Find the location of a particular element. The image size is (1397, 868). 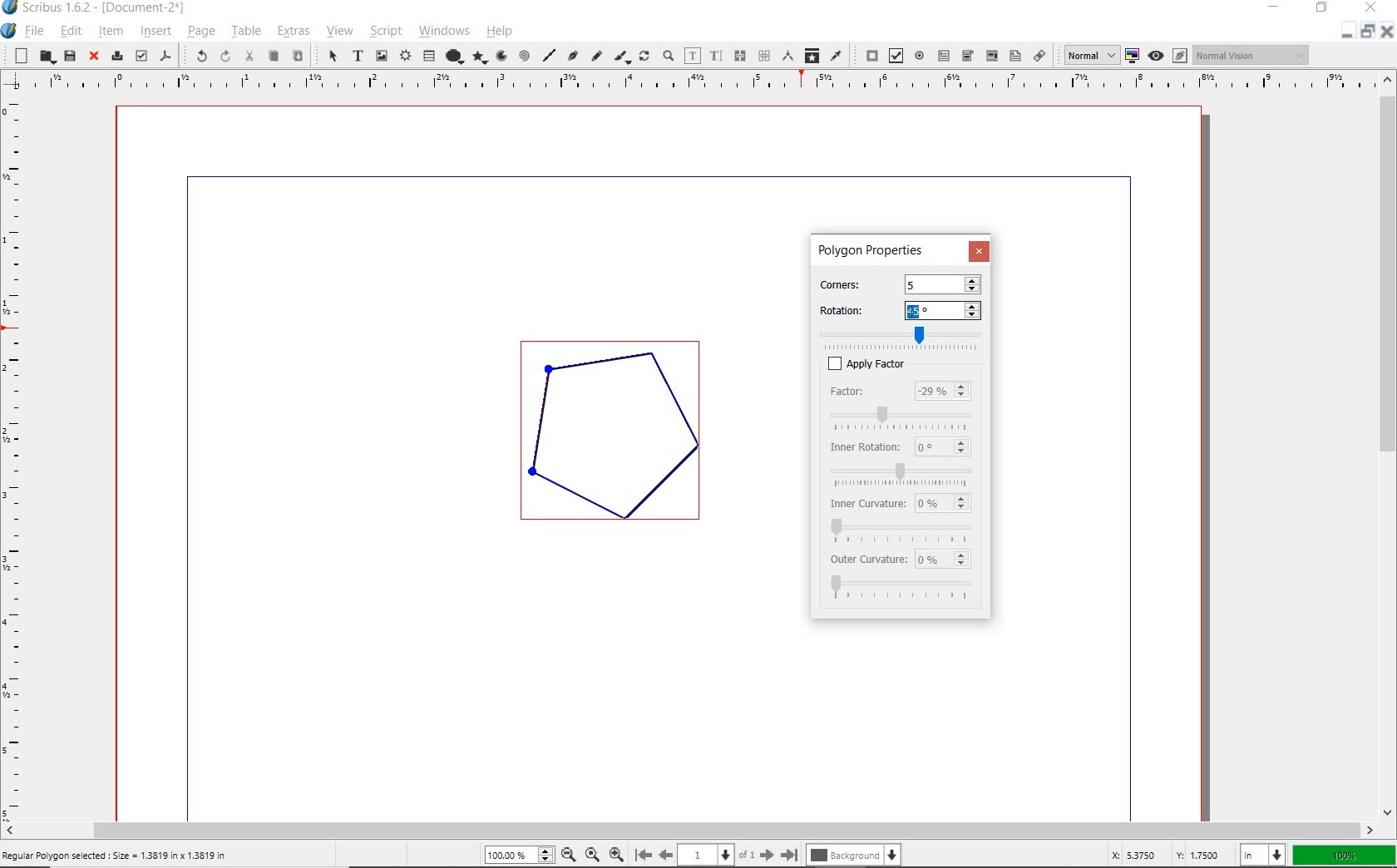

text frame is located at coordinates (358, 57).